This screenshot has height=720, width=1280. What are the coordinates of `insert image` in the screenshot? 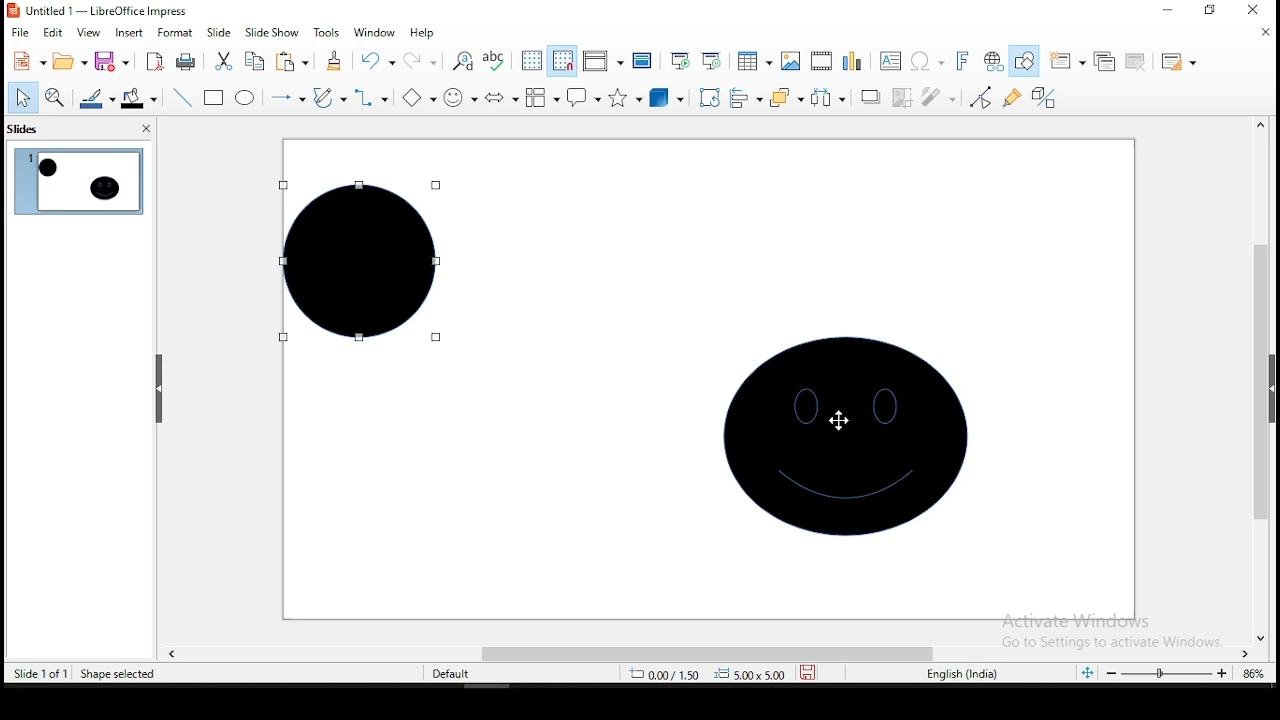 It's located at (788, 62).